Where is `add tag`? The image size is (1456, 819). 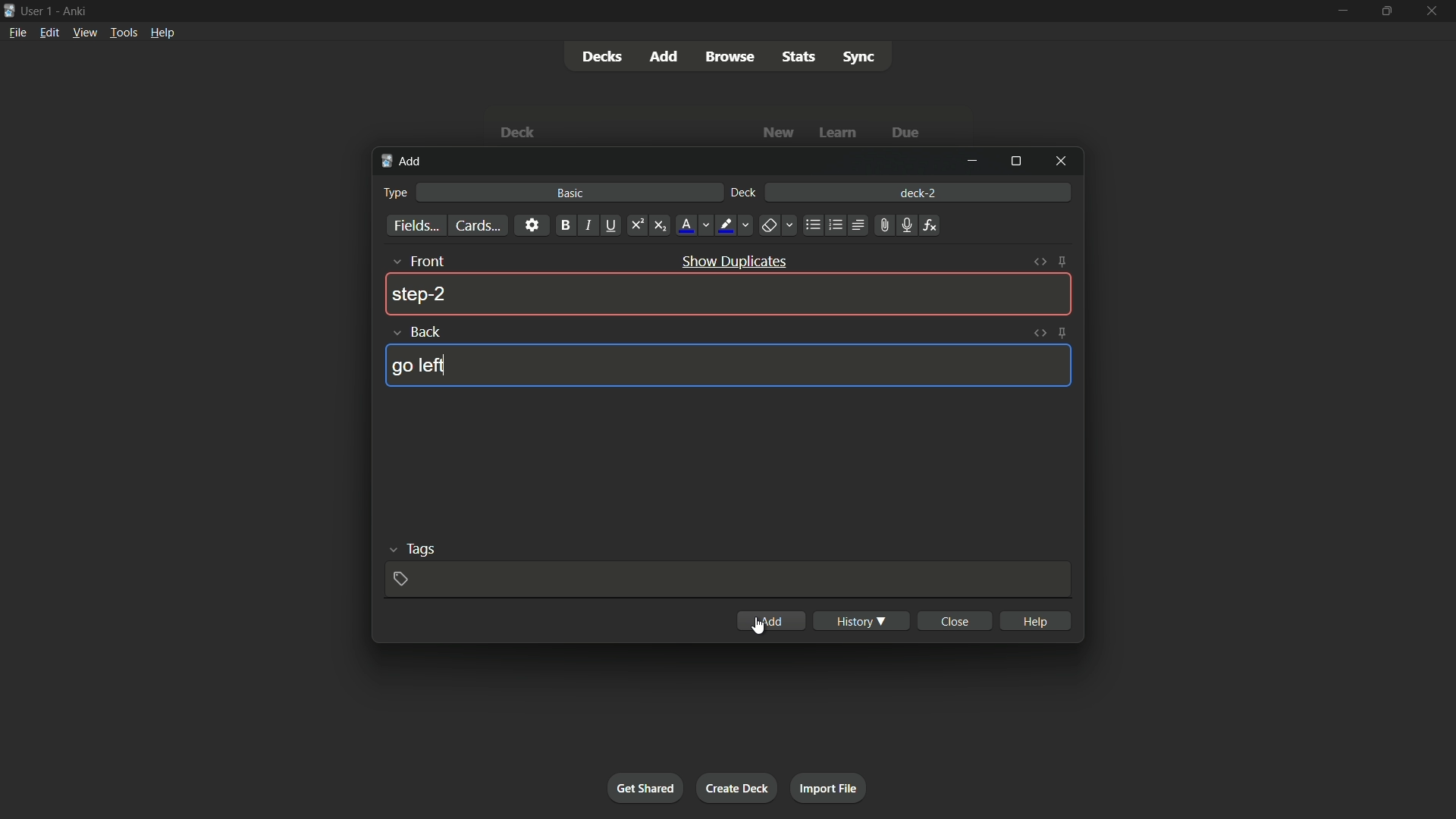 add tag is located at coordinates (403, 579).